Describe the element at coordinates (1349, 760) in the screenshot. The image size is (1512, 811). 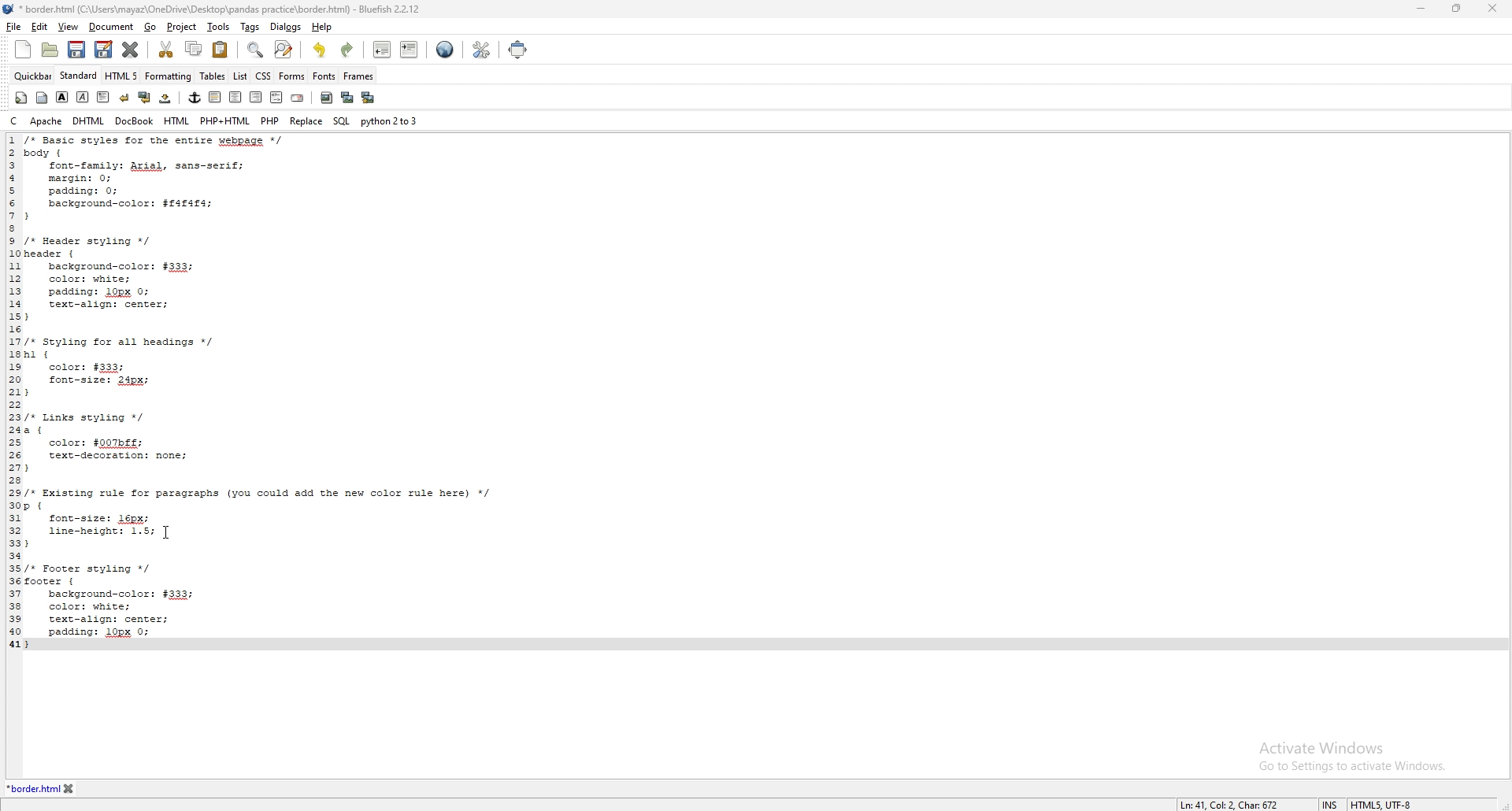
I see `Activate Windows Go to Settings to activate Windows` at that location.